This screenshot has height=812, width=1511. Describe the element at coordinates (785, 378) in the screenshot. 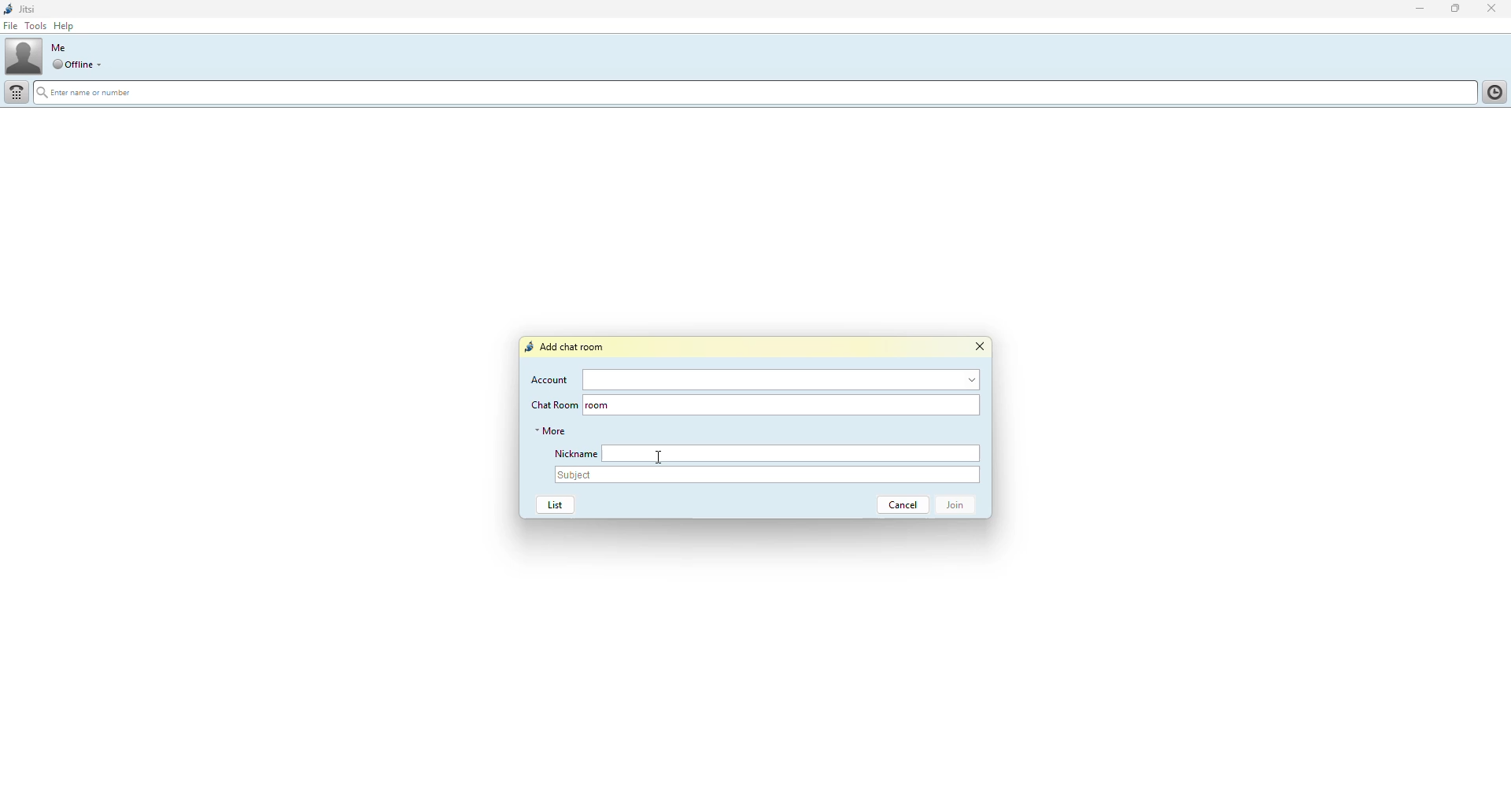

I see `account` at that location.